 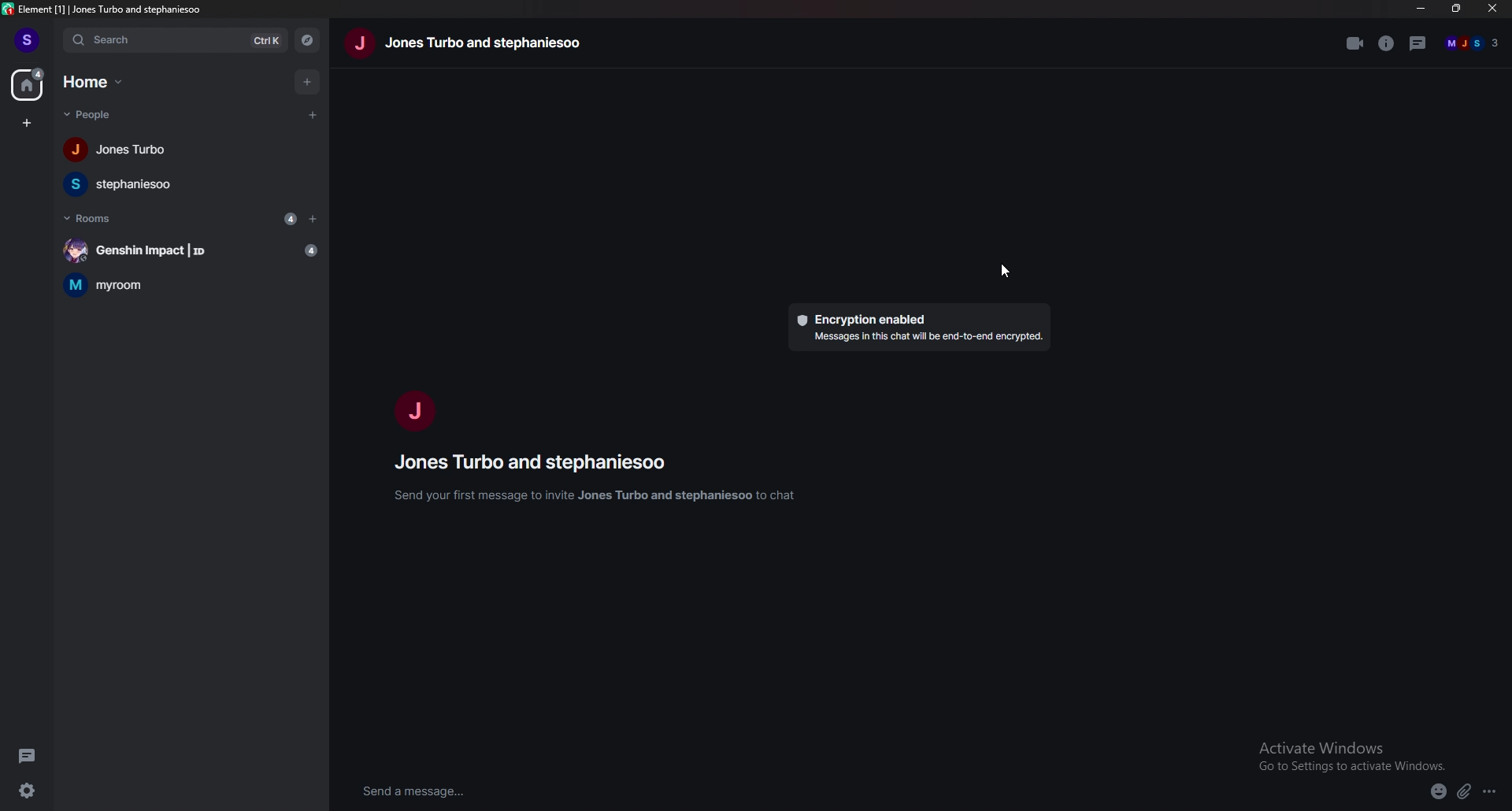 I want to click on Genshin Impact | ID, so click(x=187, y=249).